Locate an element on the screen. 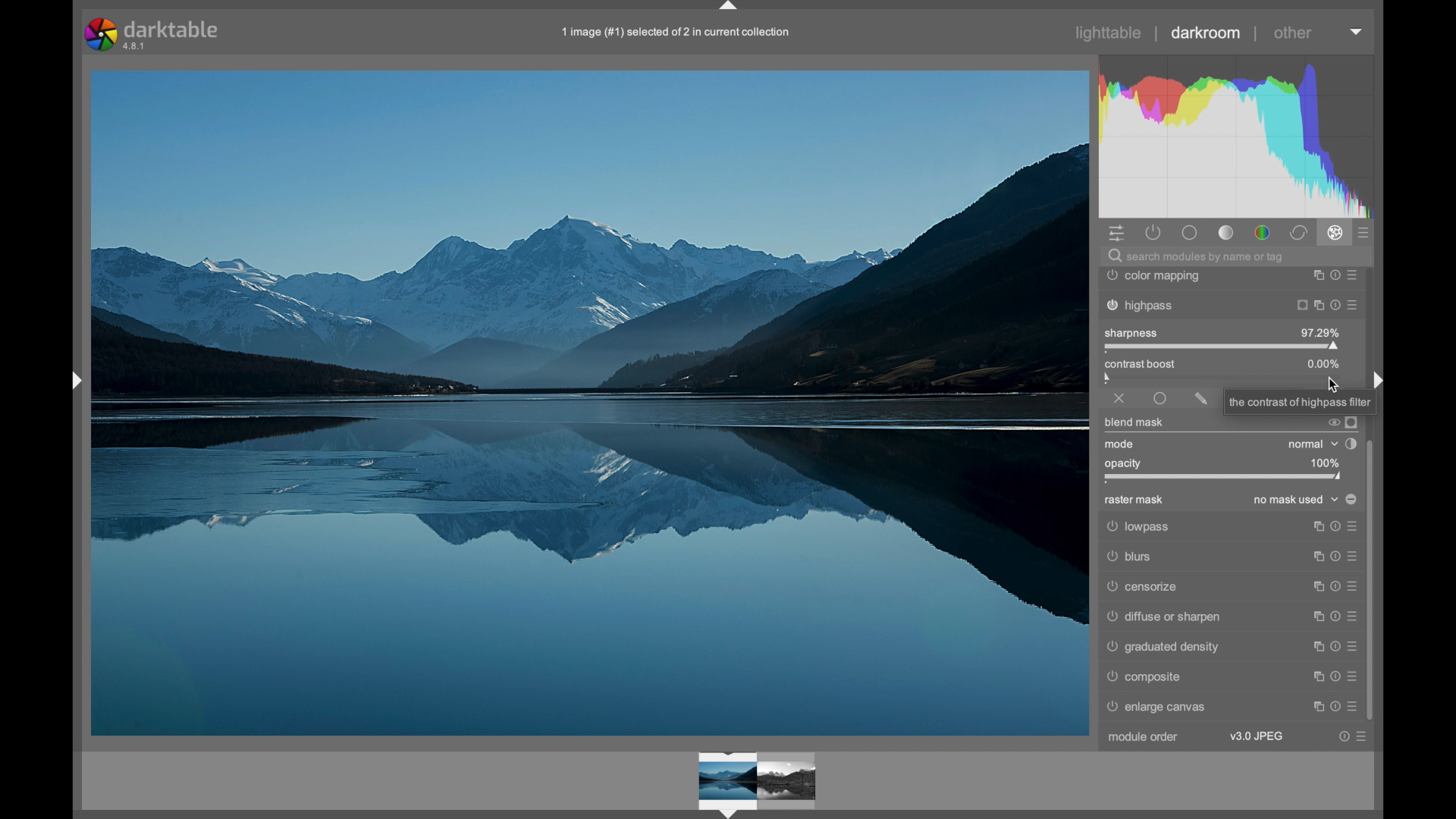  dropdown is located at coordinates (1357, 32).